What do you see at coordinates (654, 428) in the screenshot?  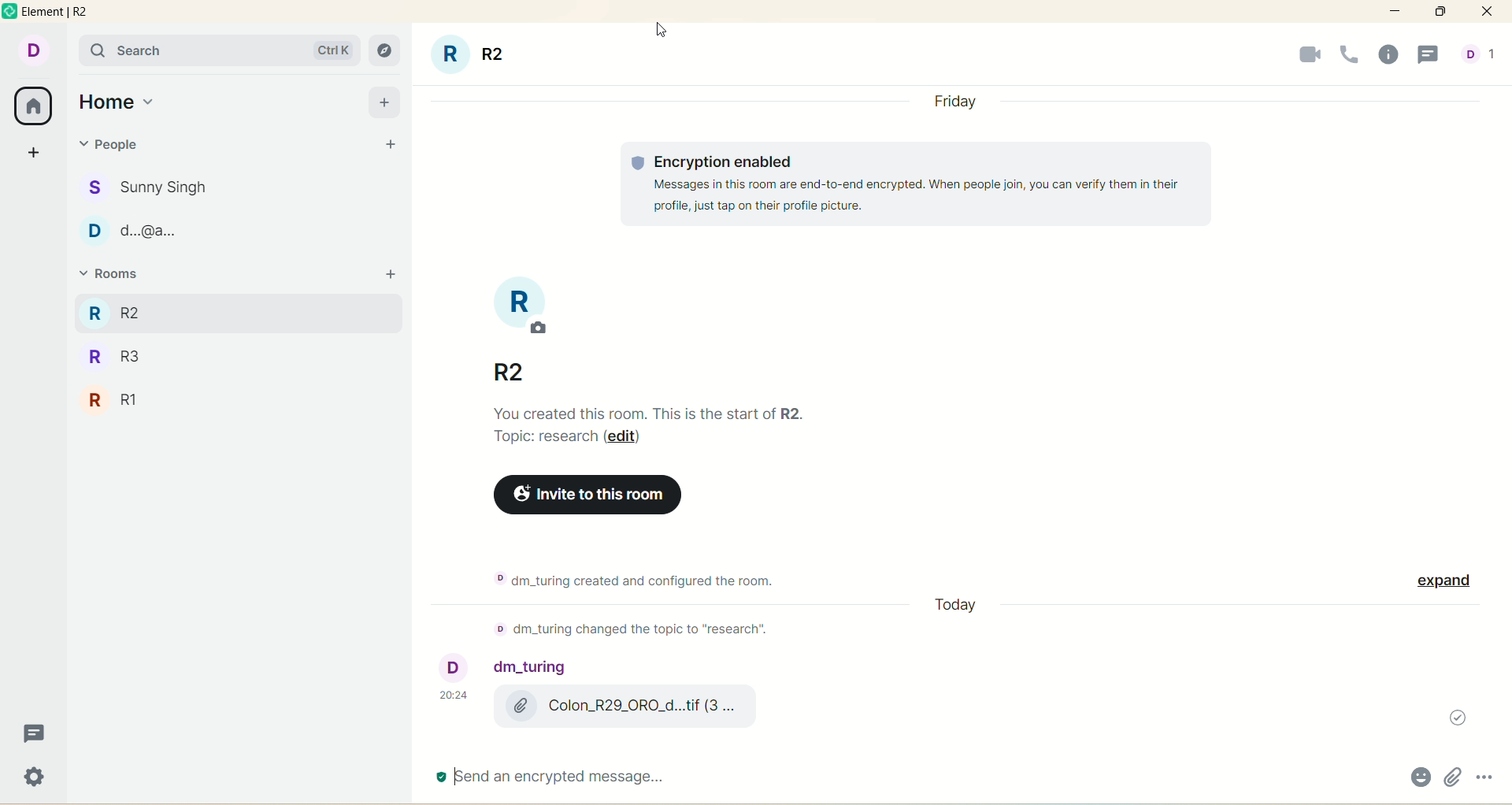 I see `` at bounding box center [654, 428].